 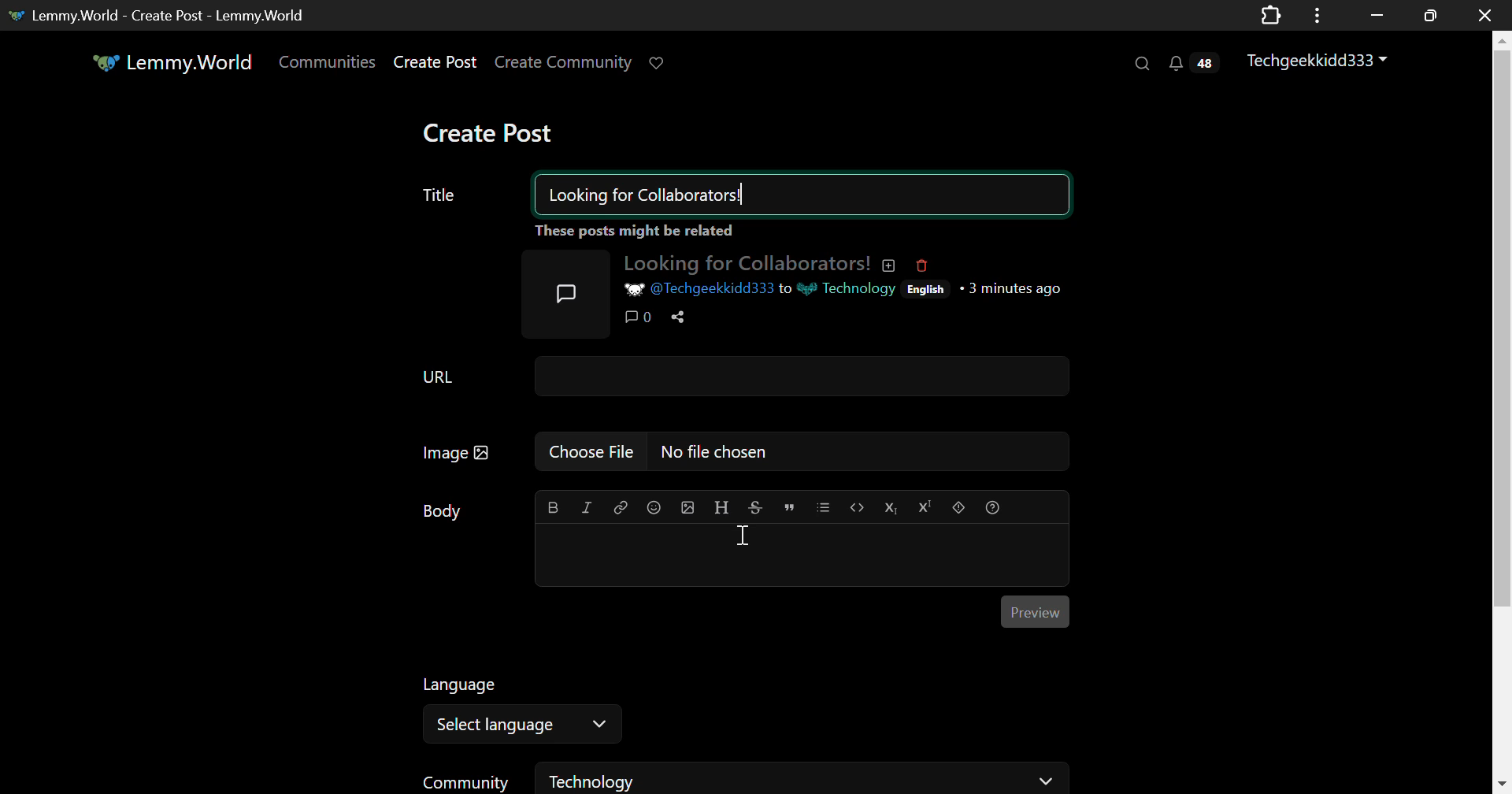 What do you see at coordinates (1270, 14) in the screenshot?
I see `Extensions` at bounding box center [1270, 14].